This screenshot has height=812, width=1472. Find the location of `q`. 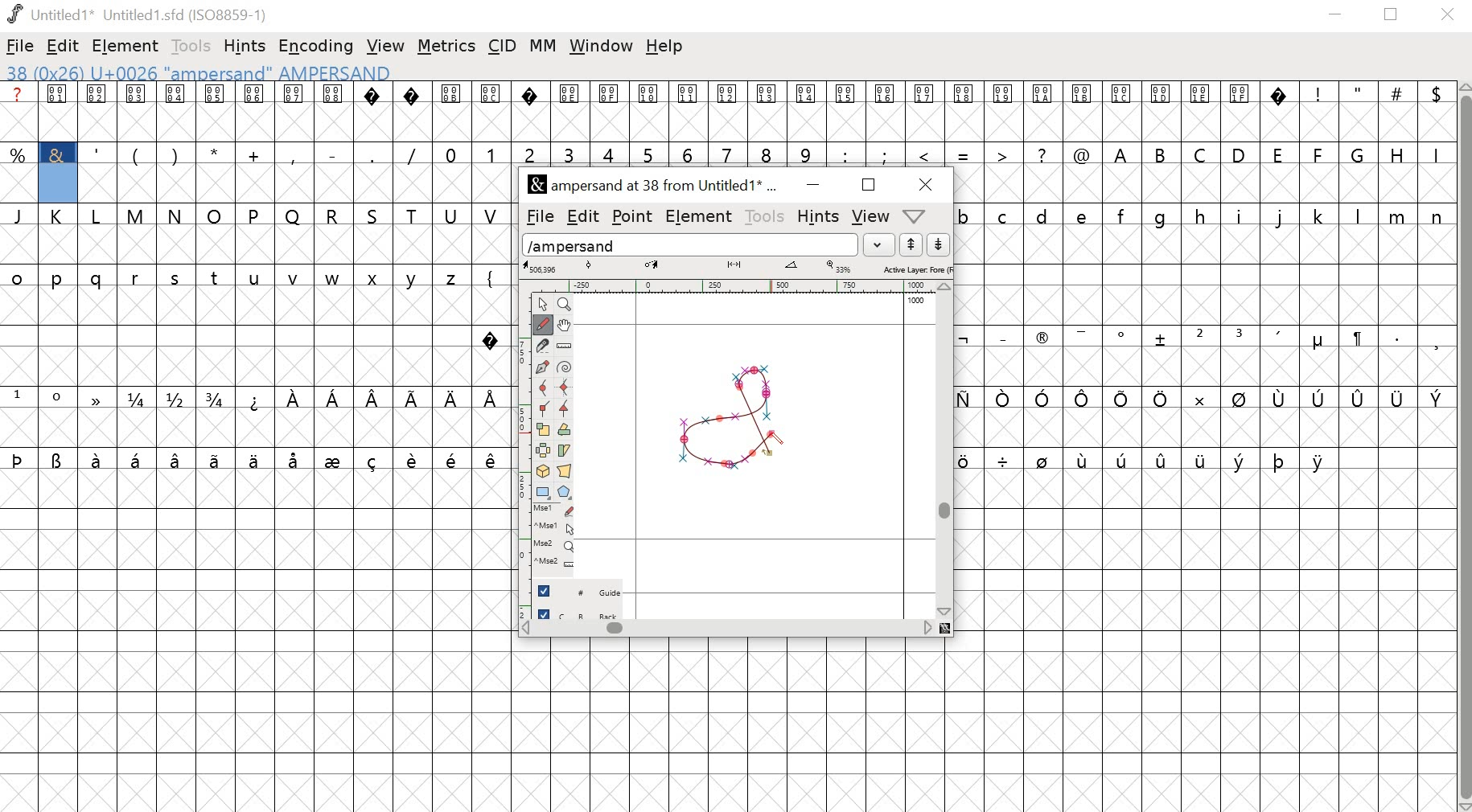

q is located at coordinates (100, 280).